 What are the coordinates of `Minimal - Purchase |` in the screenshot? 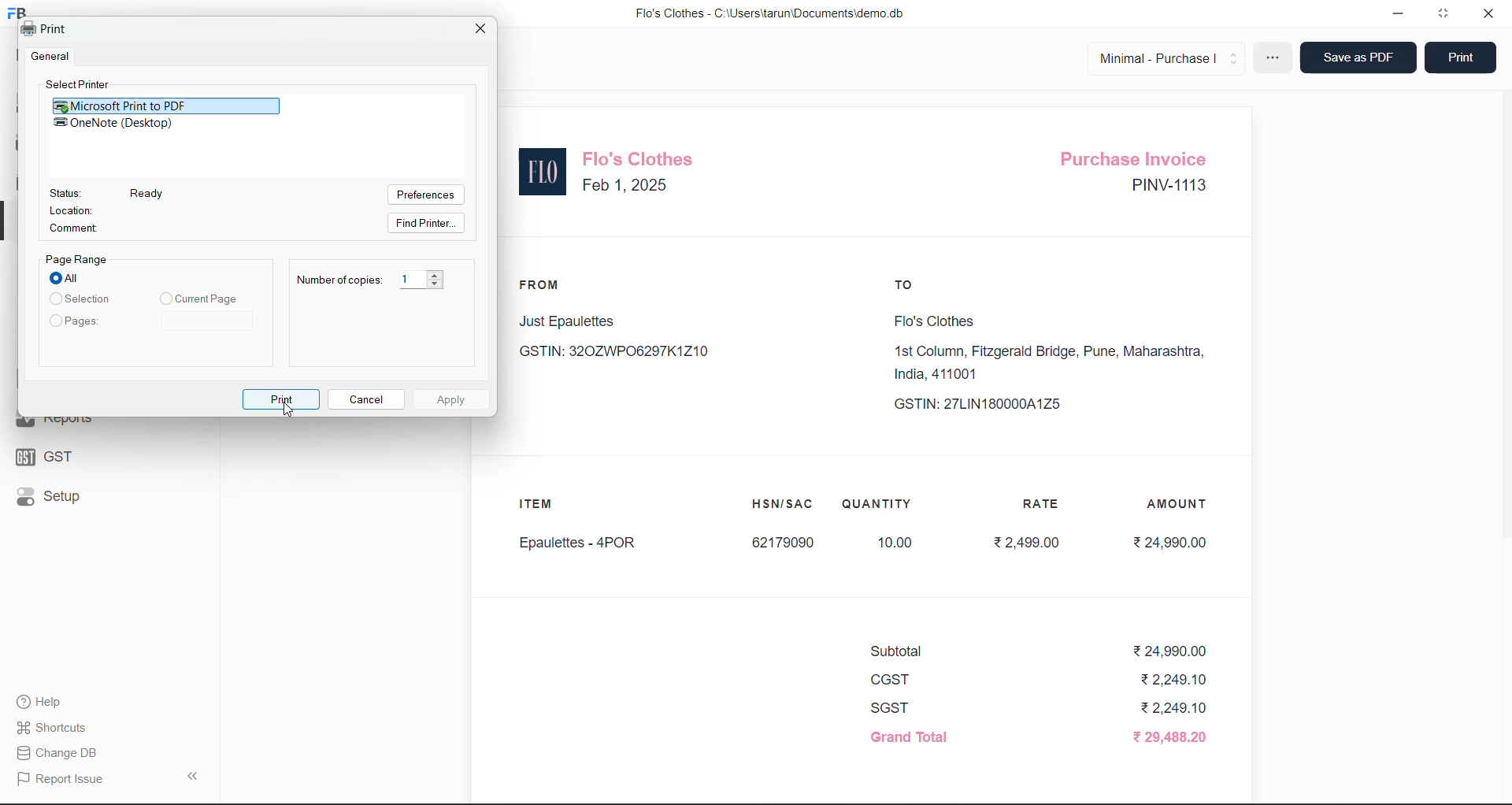 It's located at (1166, 57).